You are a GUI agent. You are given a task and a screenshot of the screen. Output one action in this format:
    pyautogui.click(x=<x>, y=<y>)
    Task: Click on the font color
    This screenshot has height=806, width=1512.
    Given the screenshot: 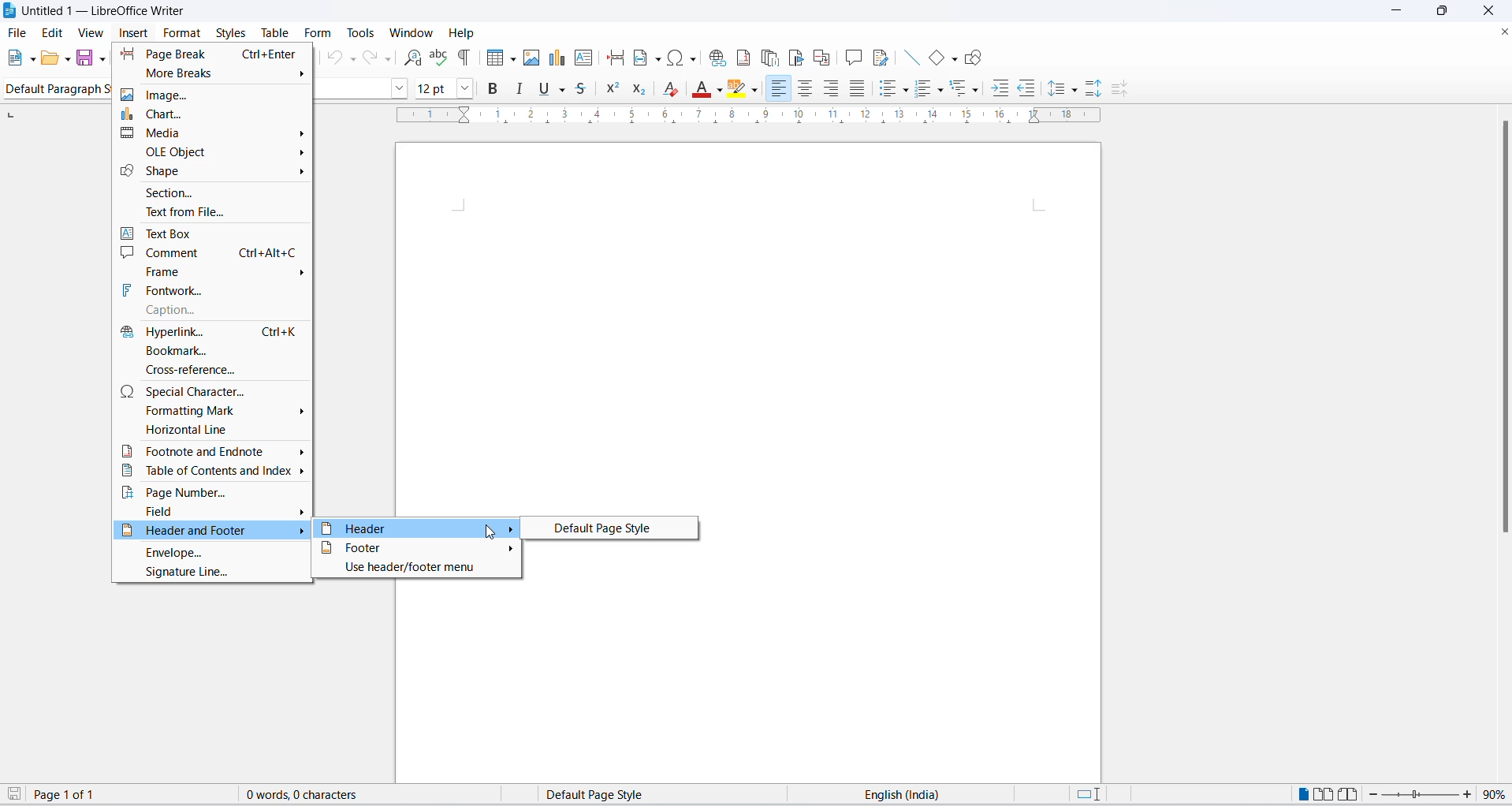 What is the action you would take?
    pyautogui.click(x=699, y=91)
    